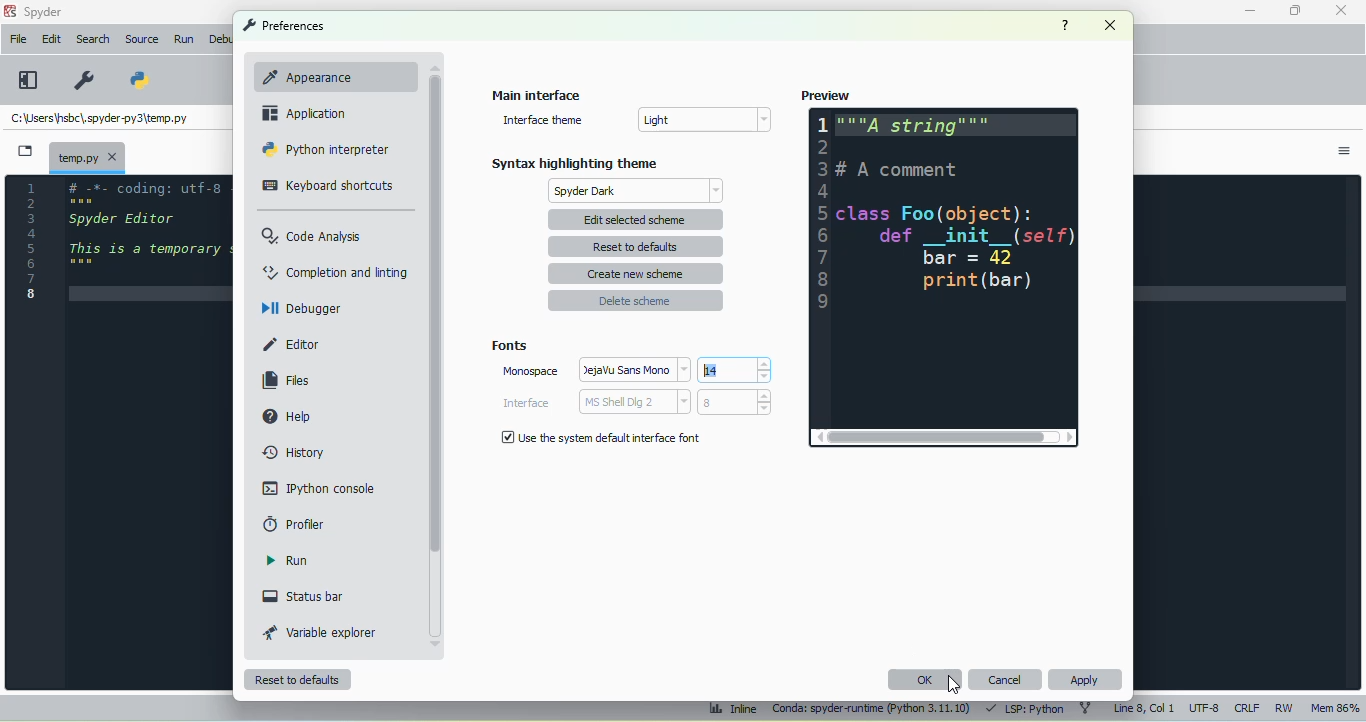 The height and width of the screenshot is (722, 1366). Describe the element at coordinates (600, 437) in the screenshot. I see `use the system default interface font` at that location.